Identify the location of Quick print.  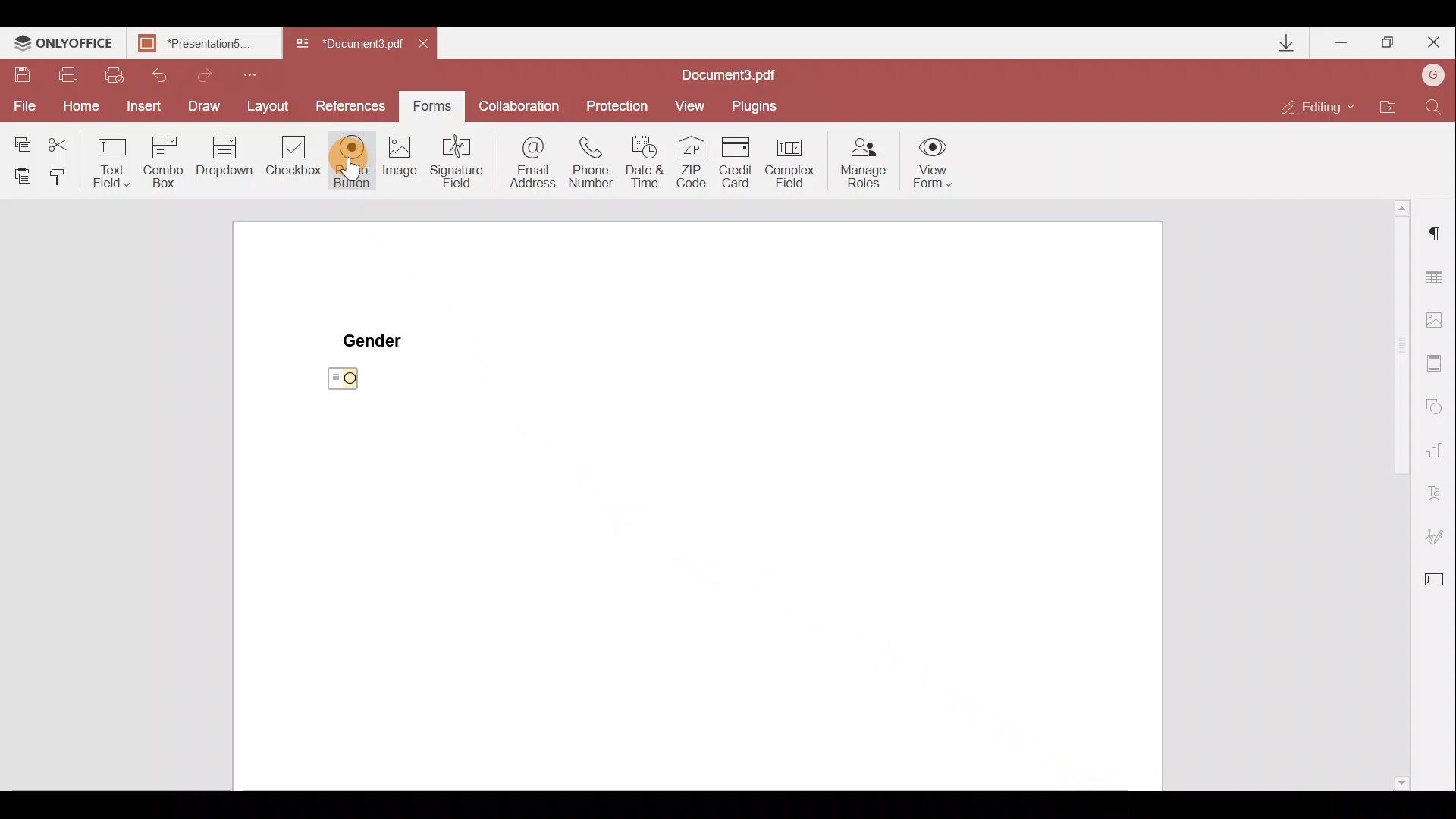
(120, 73).